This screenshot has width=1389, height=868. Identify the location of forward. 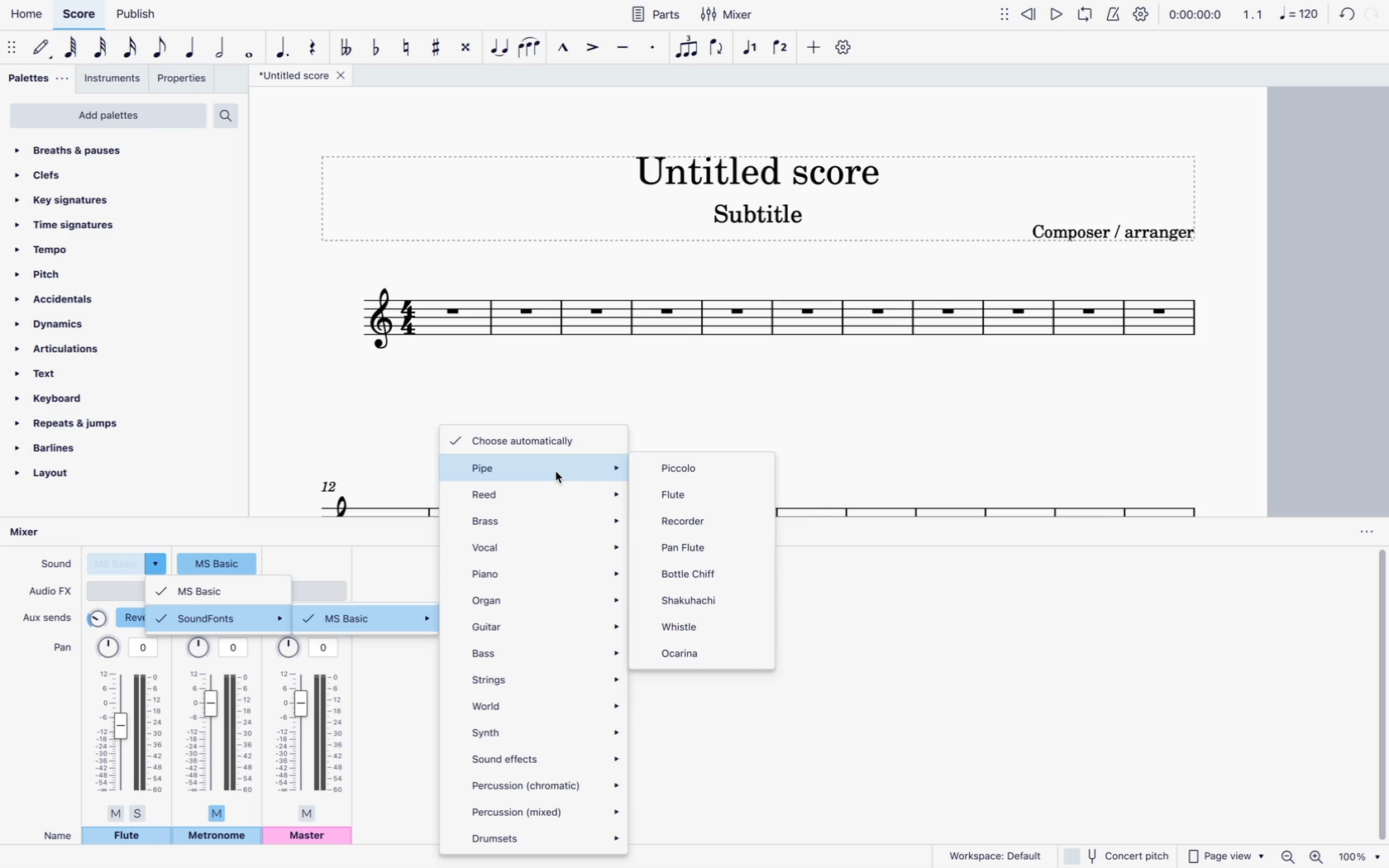
(1372, 16).